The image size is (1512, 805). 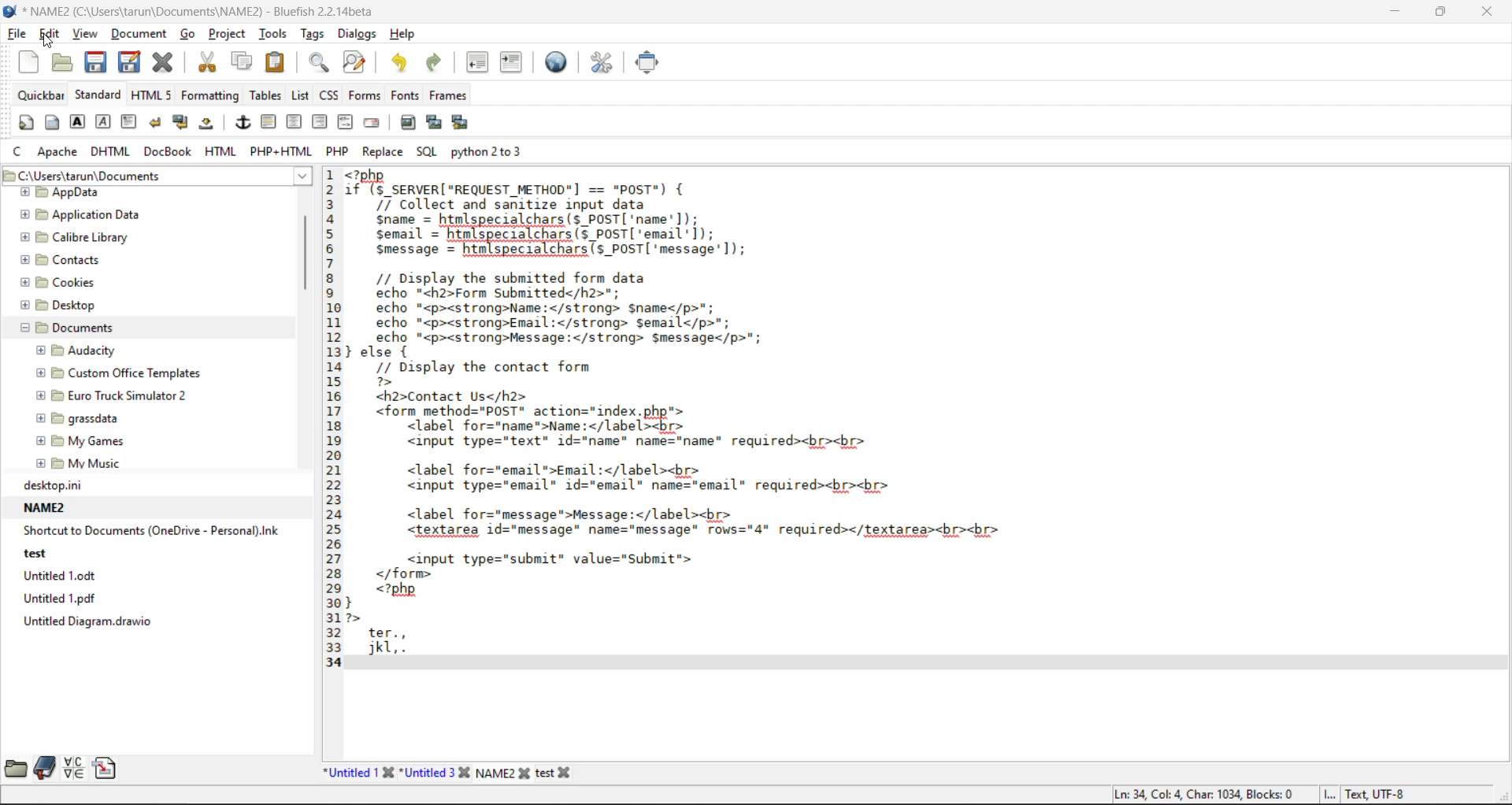 I want to click on save as, so click(x=131, y=65).